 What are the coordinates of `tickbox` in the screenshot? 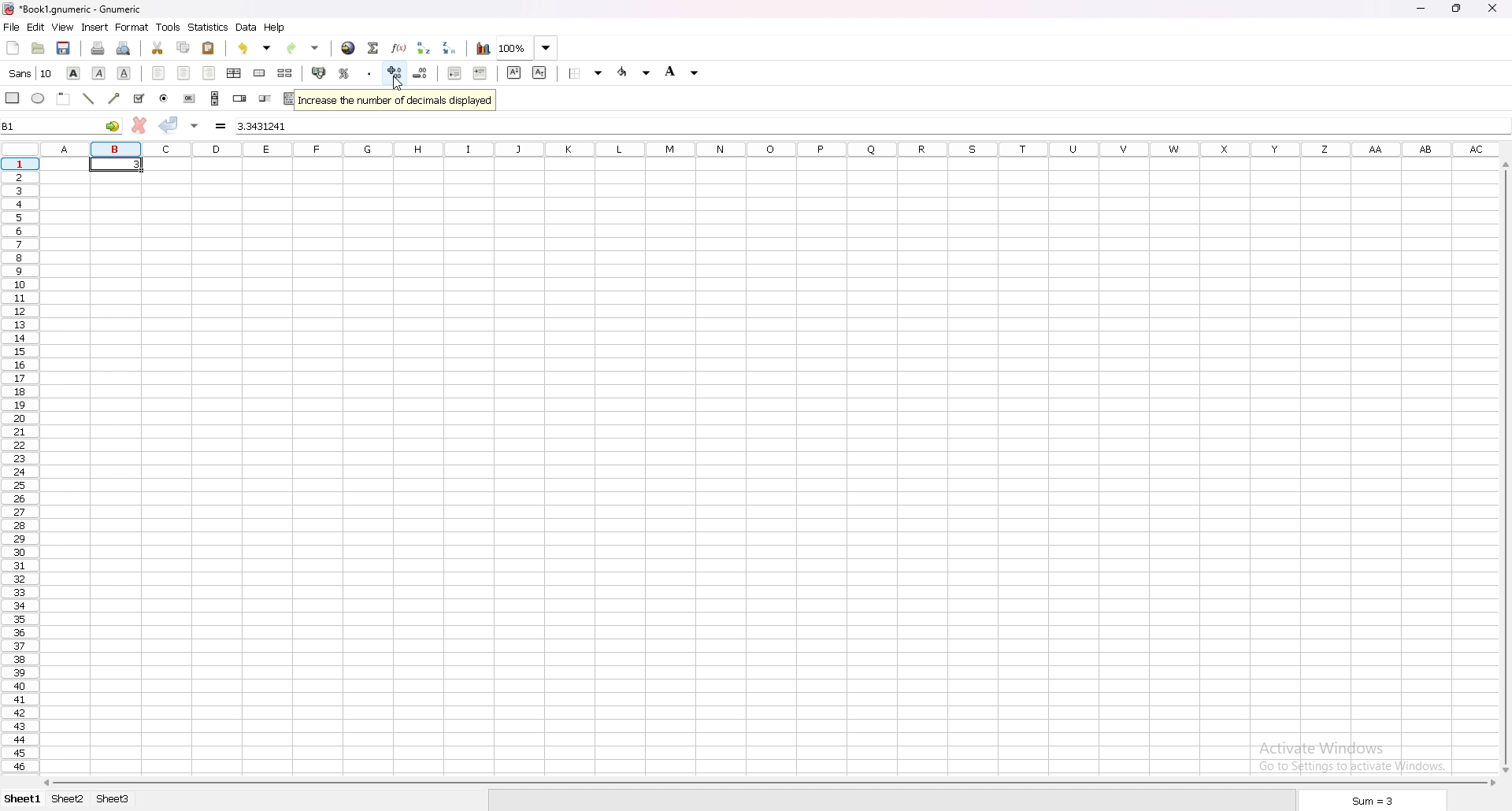 It's located at (139, 98).